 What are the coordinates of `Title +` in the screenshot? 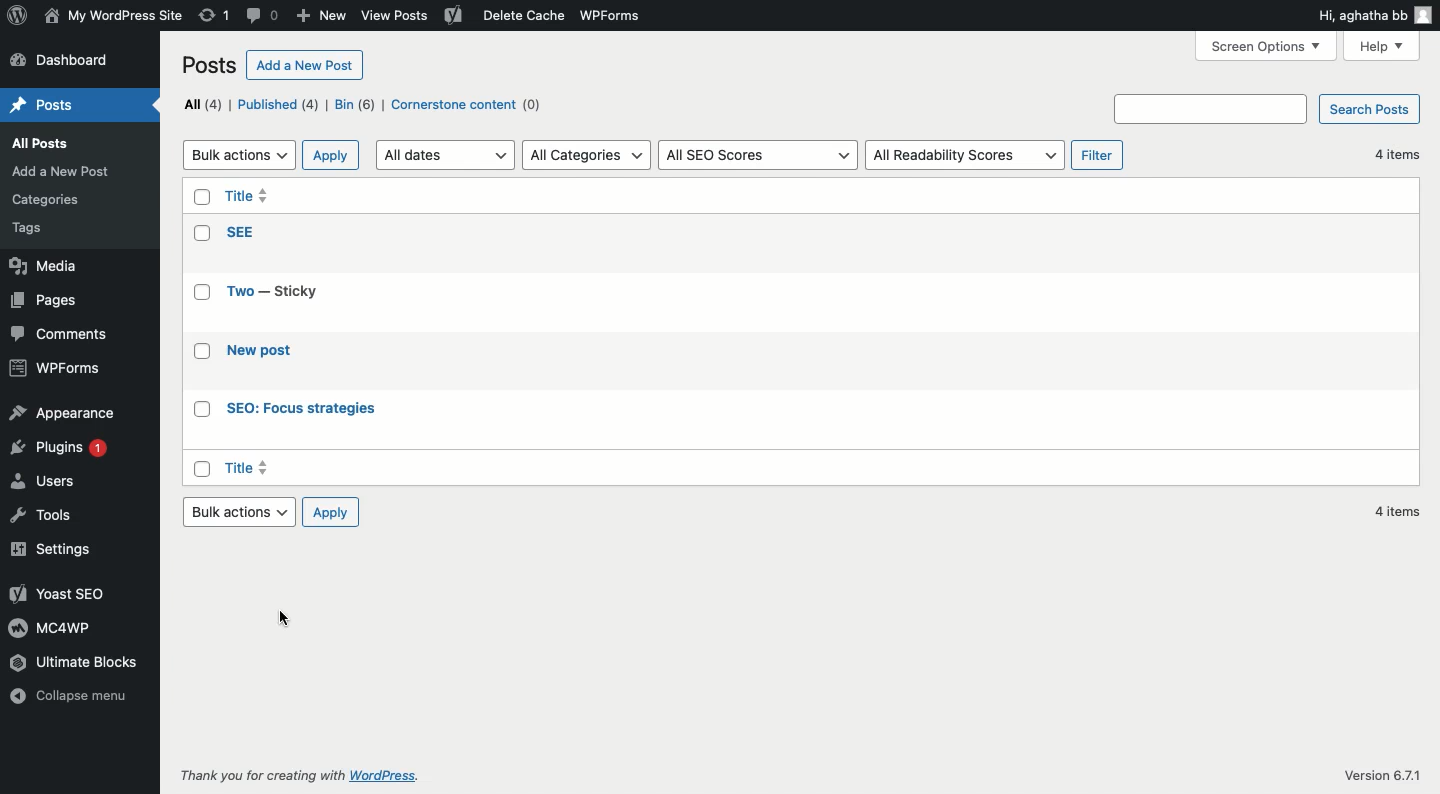 It's located at (249, 468).